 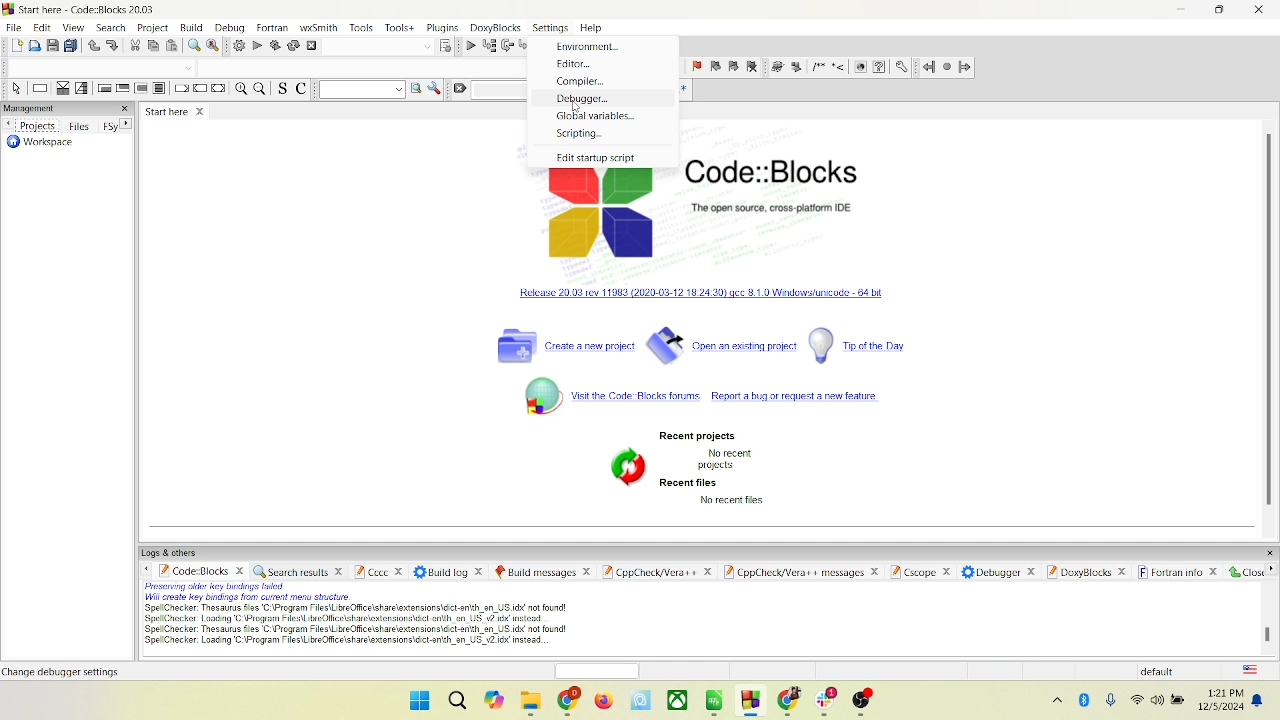 I want to click on logs and others, so click(x=166, y=553).